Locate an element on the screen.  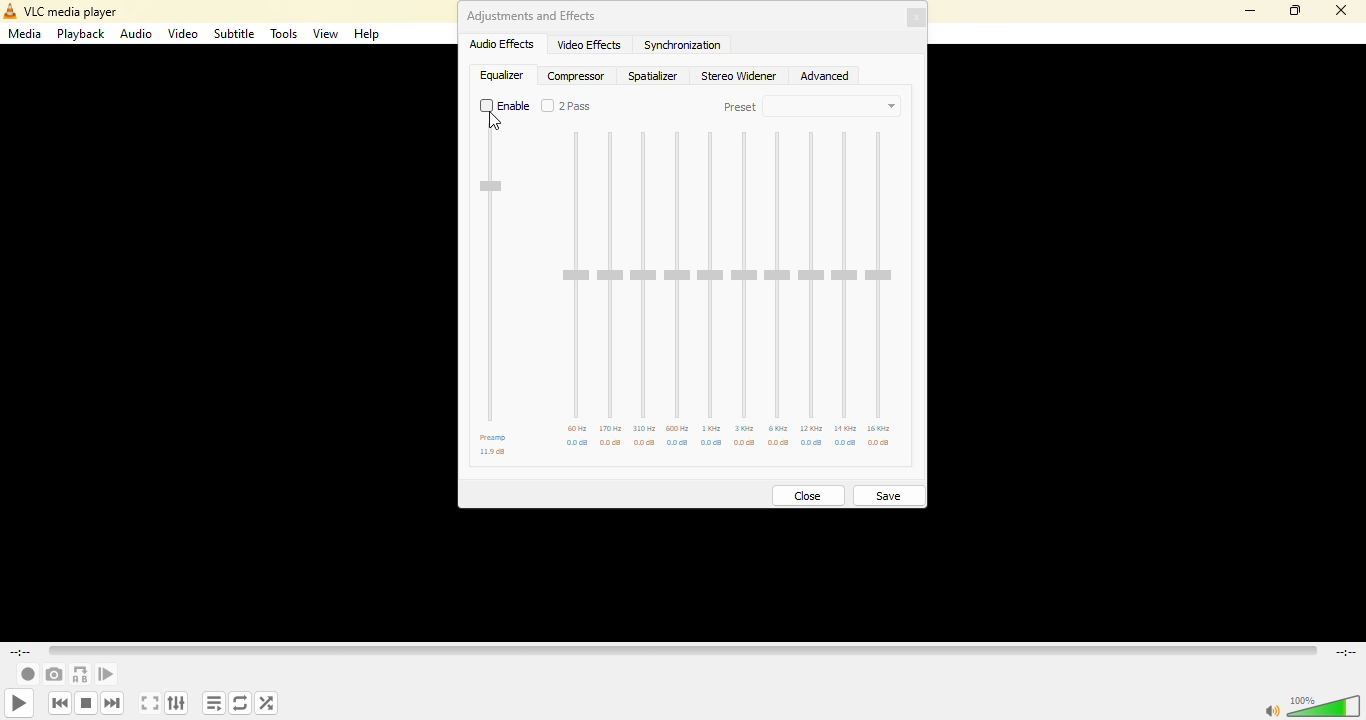
adjustor is located at coordinates (883, 276).